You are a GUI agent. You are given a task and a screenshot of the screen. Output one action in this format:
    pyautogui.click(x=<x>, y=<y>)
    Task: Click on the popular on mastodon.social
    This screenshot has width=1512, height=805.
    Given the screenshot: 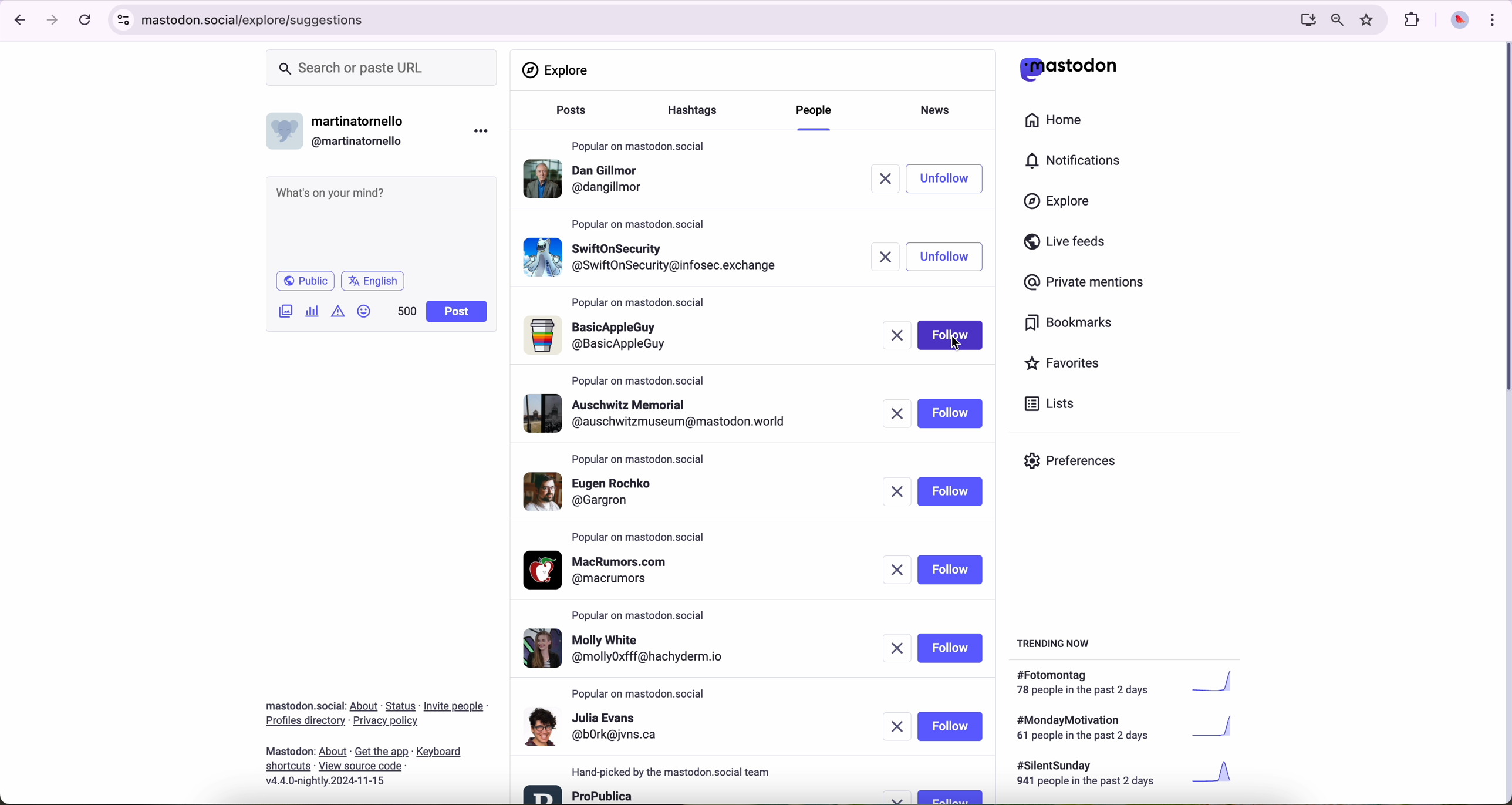 What is the action you would take?
    pyautogui.click(x=640, y=538)
    